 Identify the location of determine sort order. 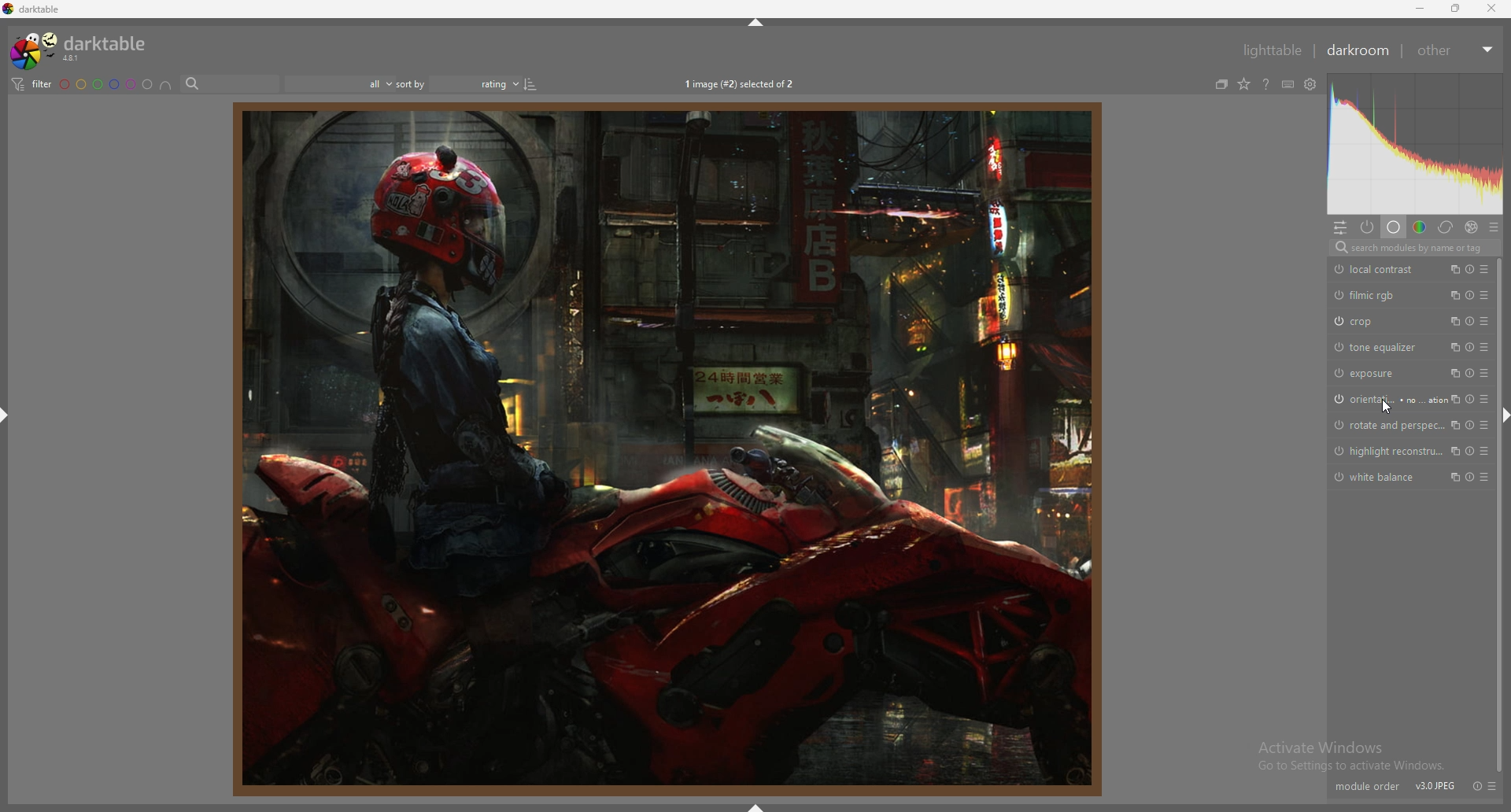
(459, 84).